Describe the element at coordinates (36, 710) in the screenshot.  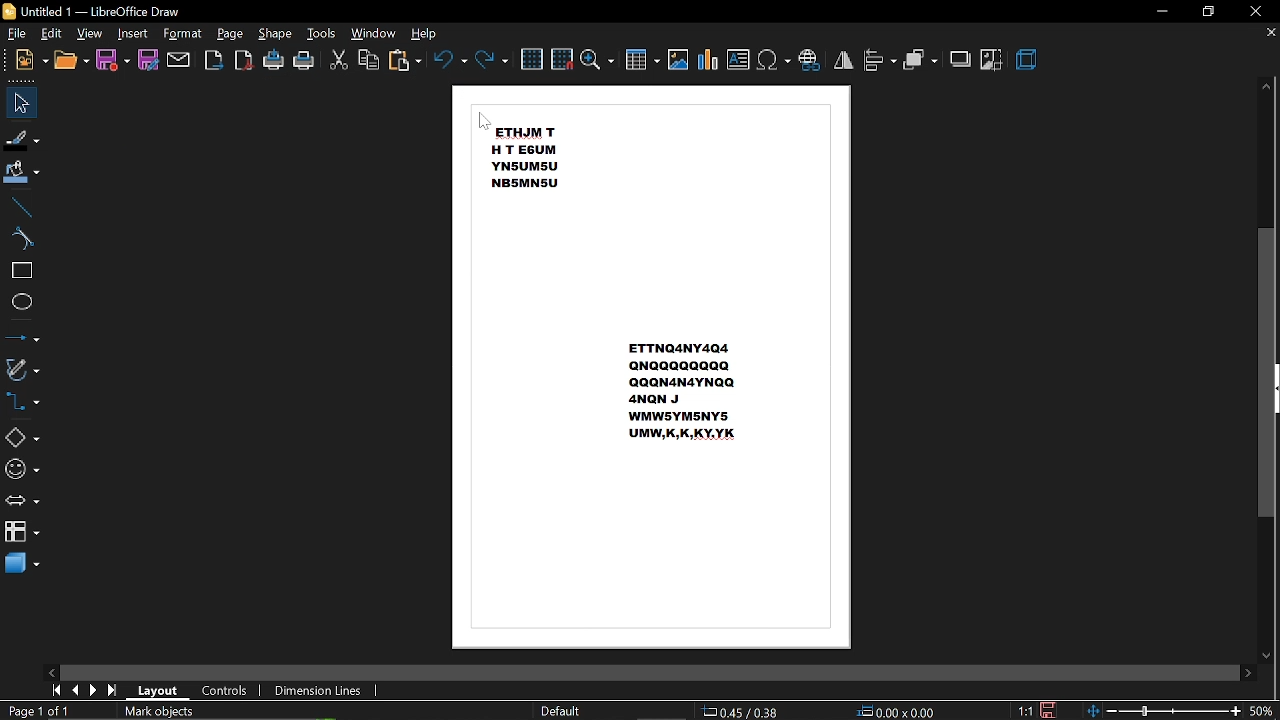
I see `Page 1 of 1` at that location.